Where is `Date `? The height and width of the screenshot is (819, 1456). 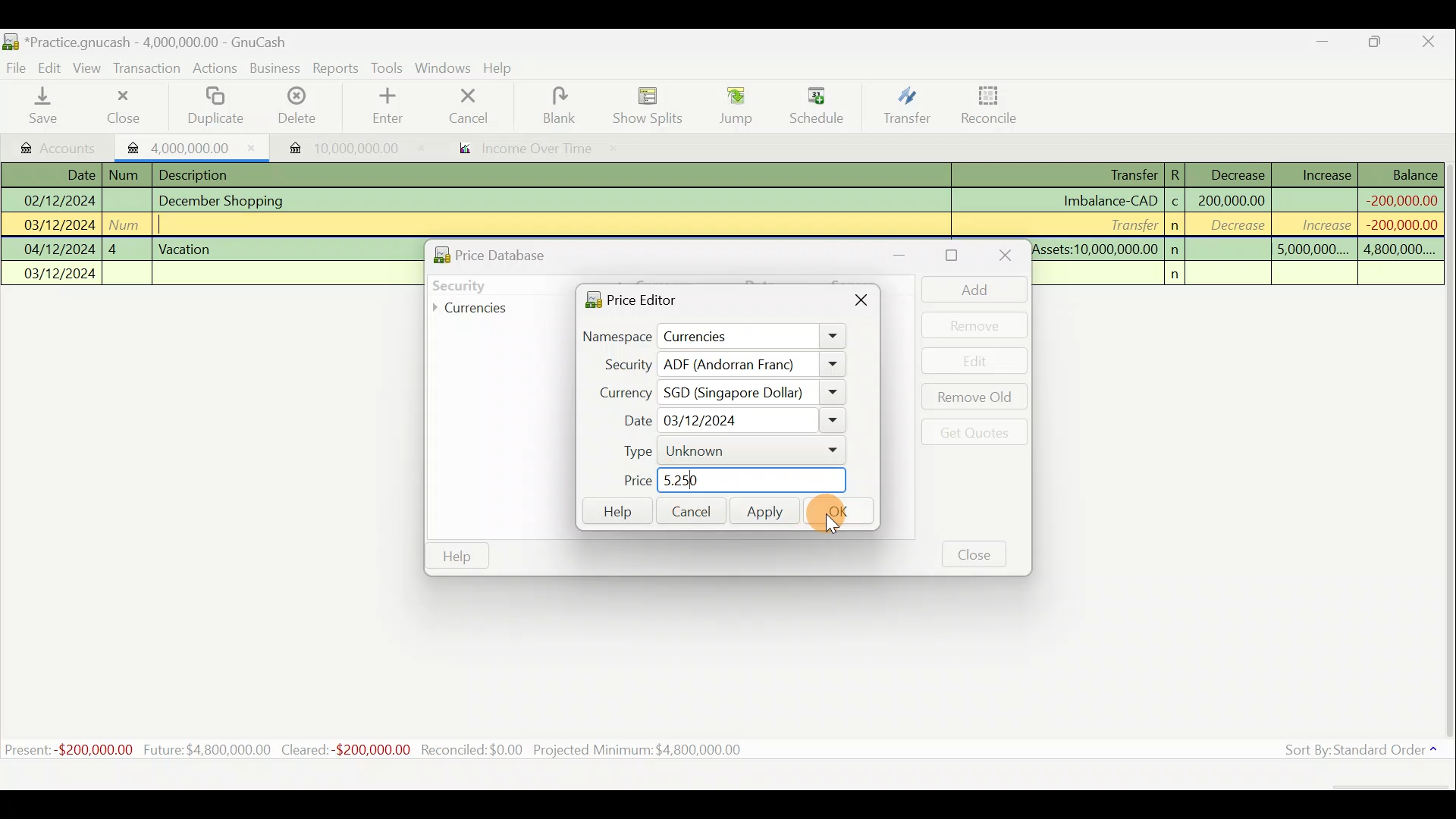 Date  is located at coordinates (71, 174).